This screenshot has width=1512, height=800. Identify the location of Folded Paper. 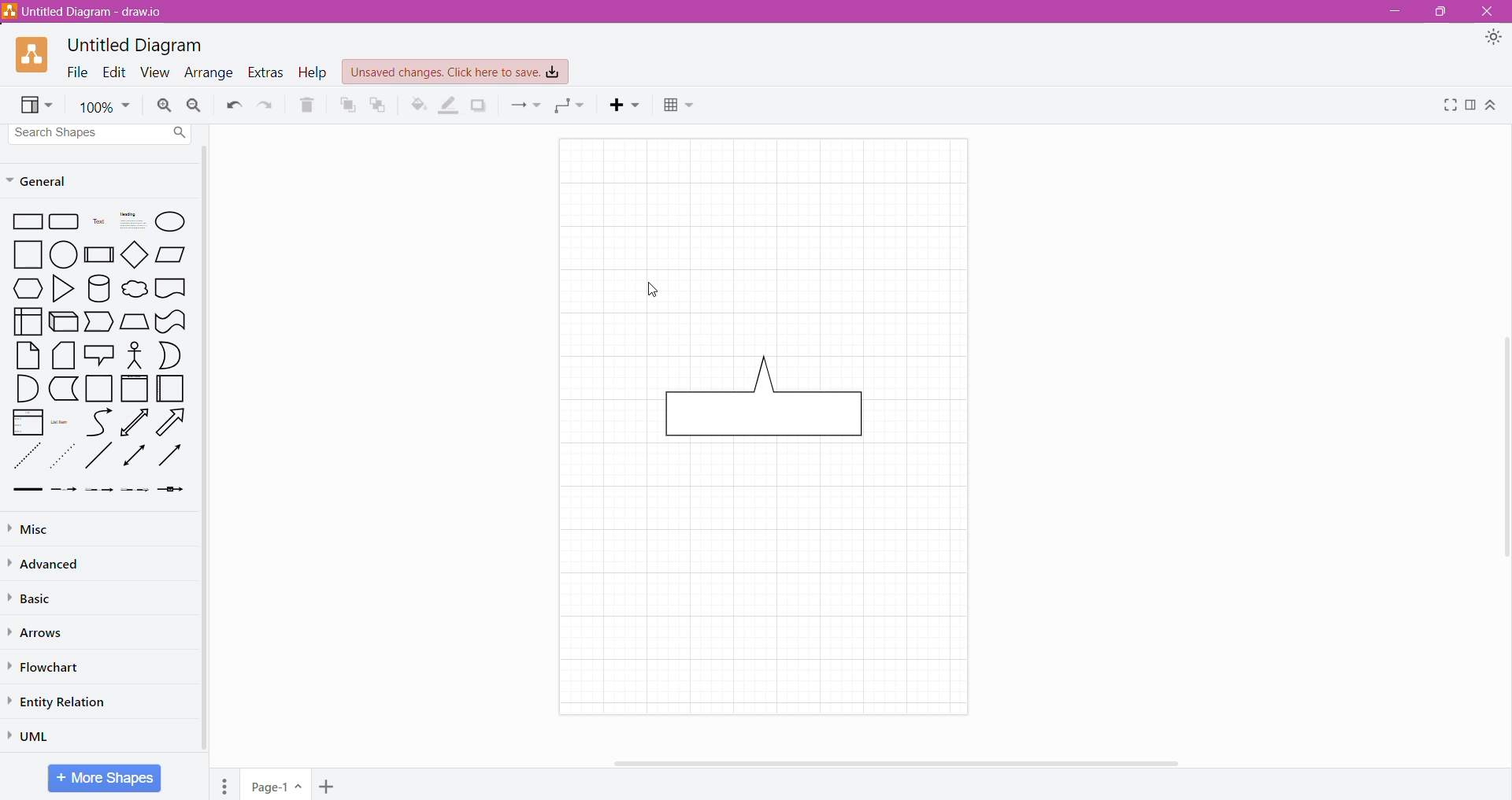
(173, 388).